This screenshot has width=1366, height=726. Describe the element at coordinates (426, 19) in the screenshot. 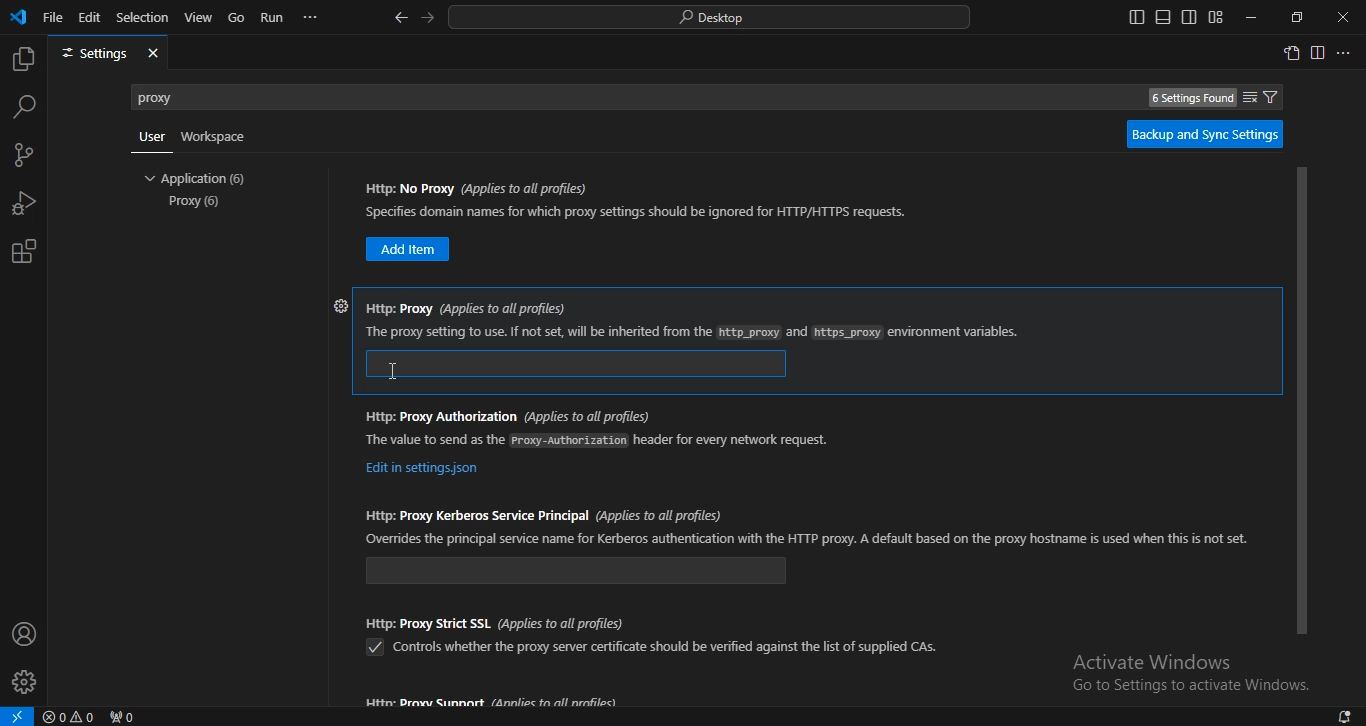

I see `go forward` at that location.